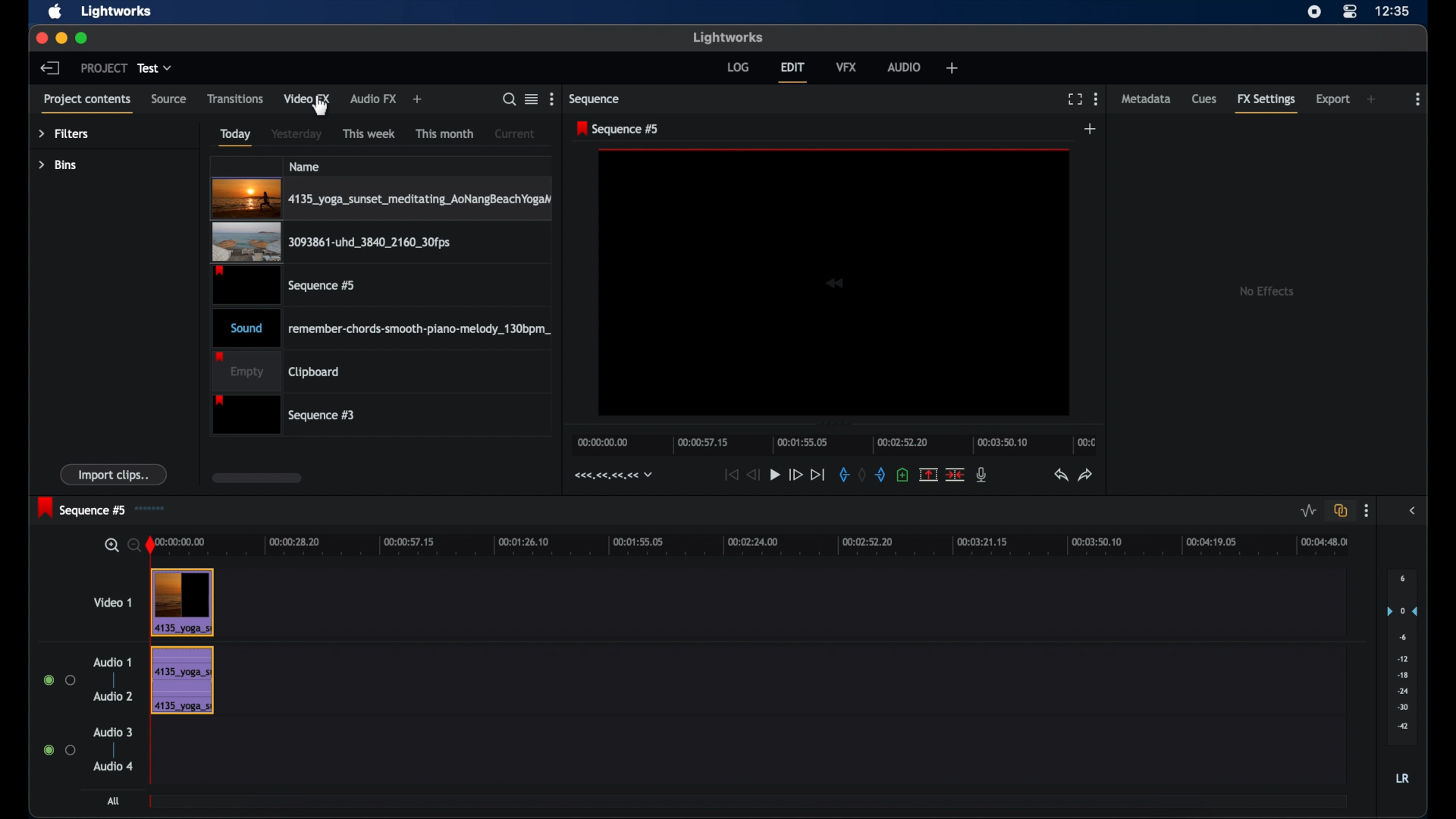 This screenshot has width=1456, height=819. What do you see at coordinates (87, 103) in the screenshot?
I see `project contents` at bounding box center [87, 103].